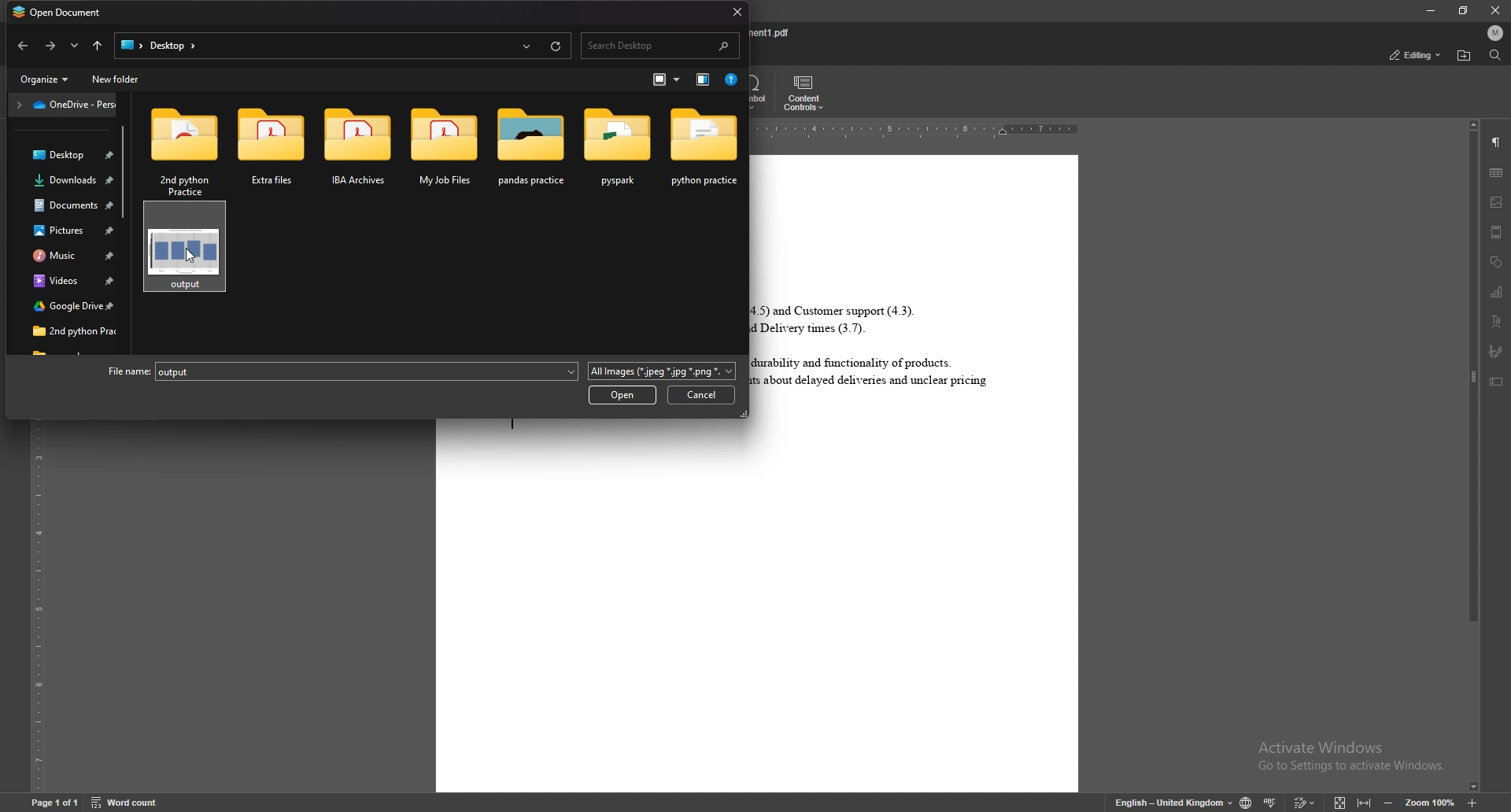  What do you see at coordinates (1465, 11) in the screenshot?
I see `resize` at bounding box center [1465, 11].